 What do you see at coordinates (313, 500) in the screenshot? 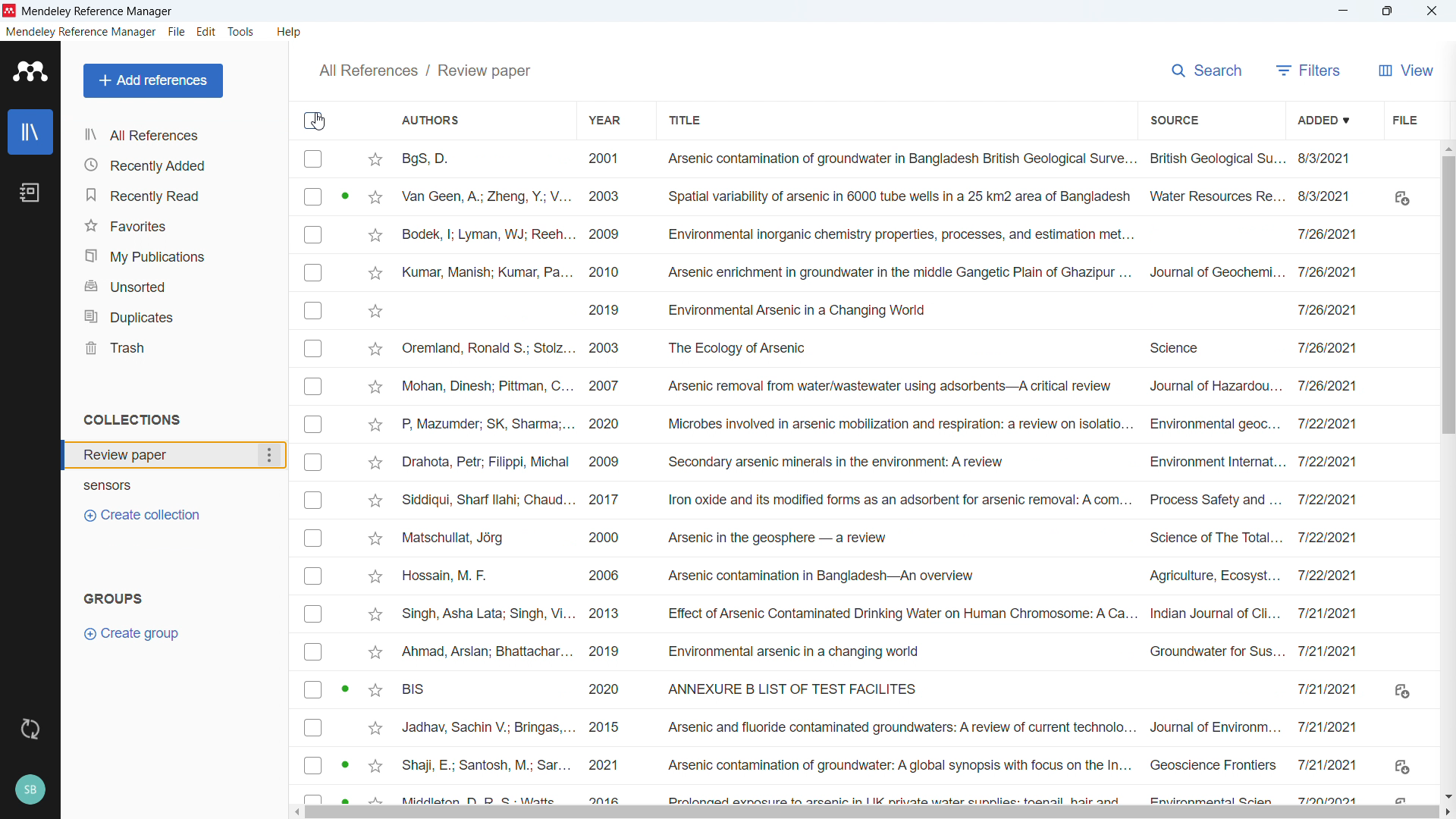
I see `Select respective publication` at bounding box center [313, 500].